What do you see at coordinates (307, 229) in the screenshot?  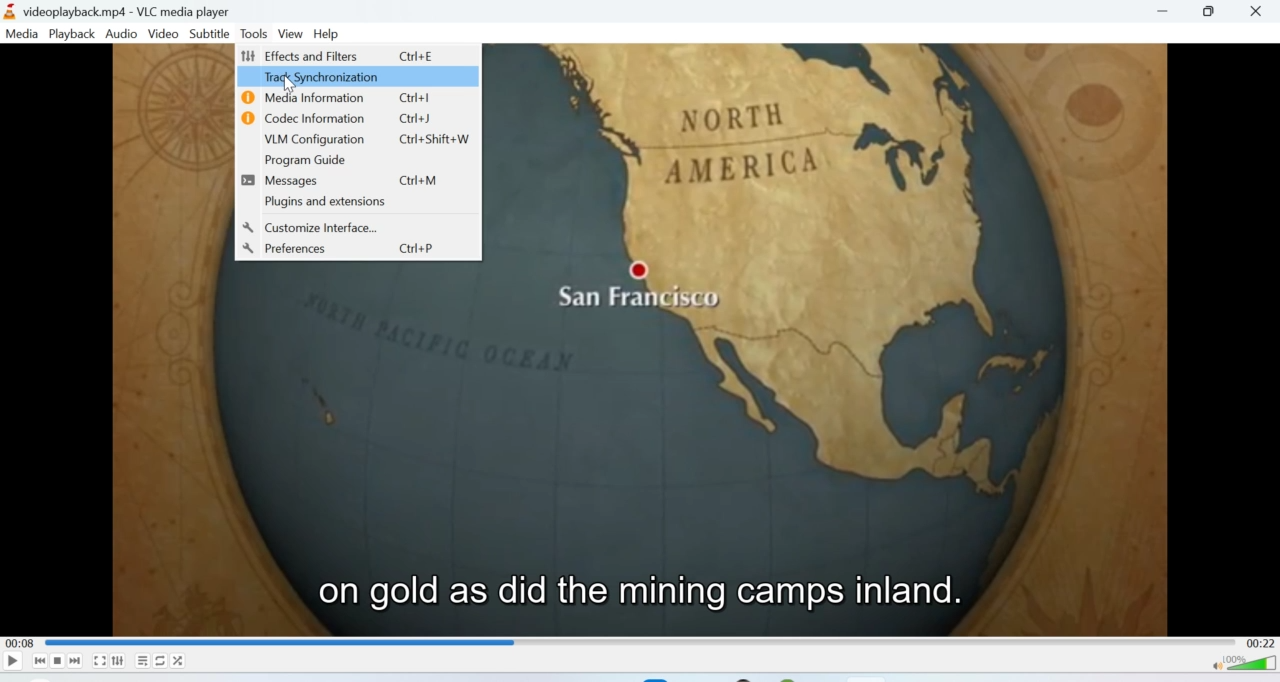 I see `Customize Interface` at bounding box center [307, 229].